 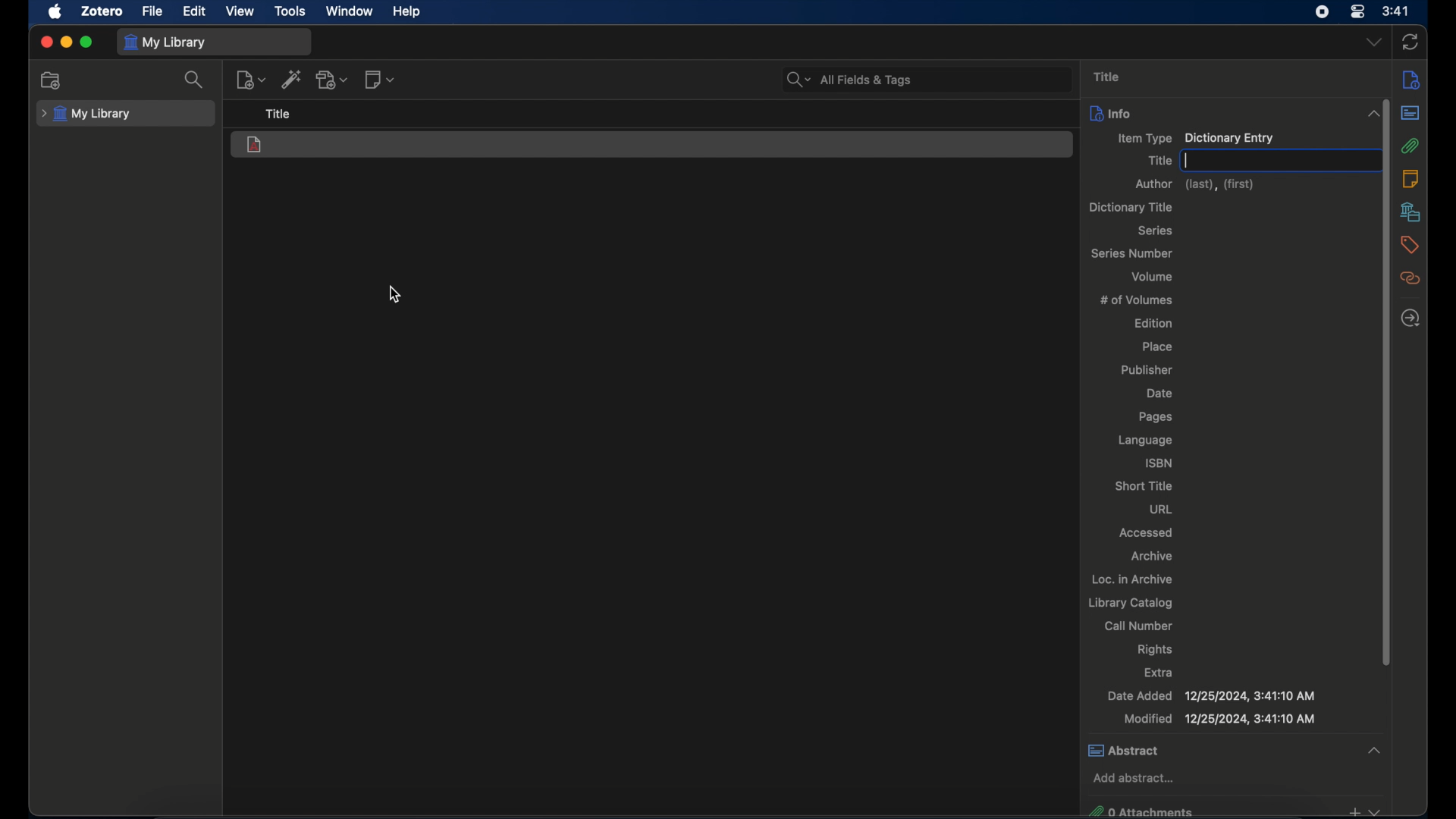 What do you see at coordinates (194, 80) in the screenshot?
I see `search` at bounding box center [194, 80].